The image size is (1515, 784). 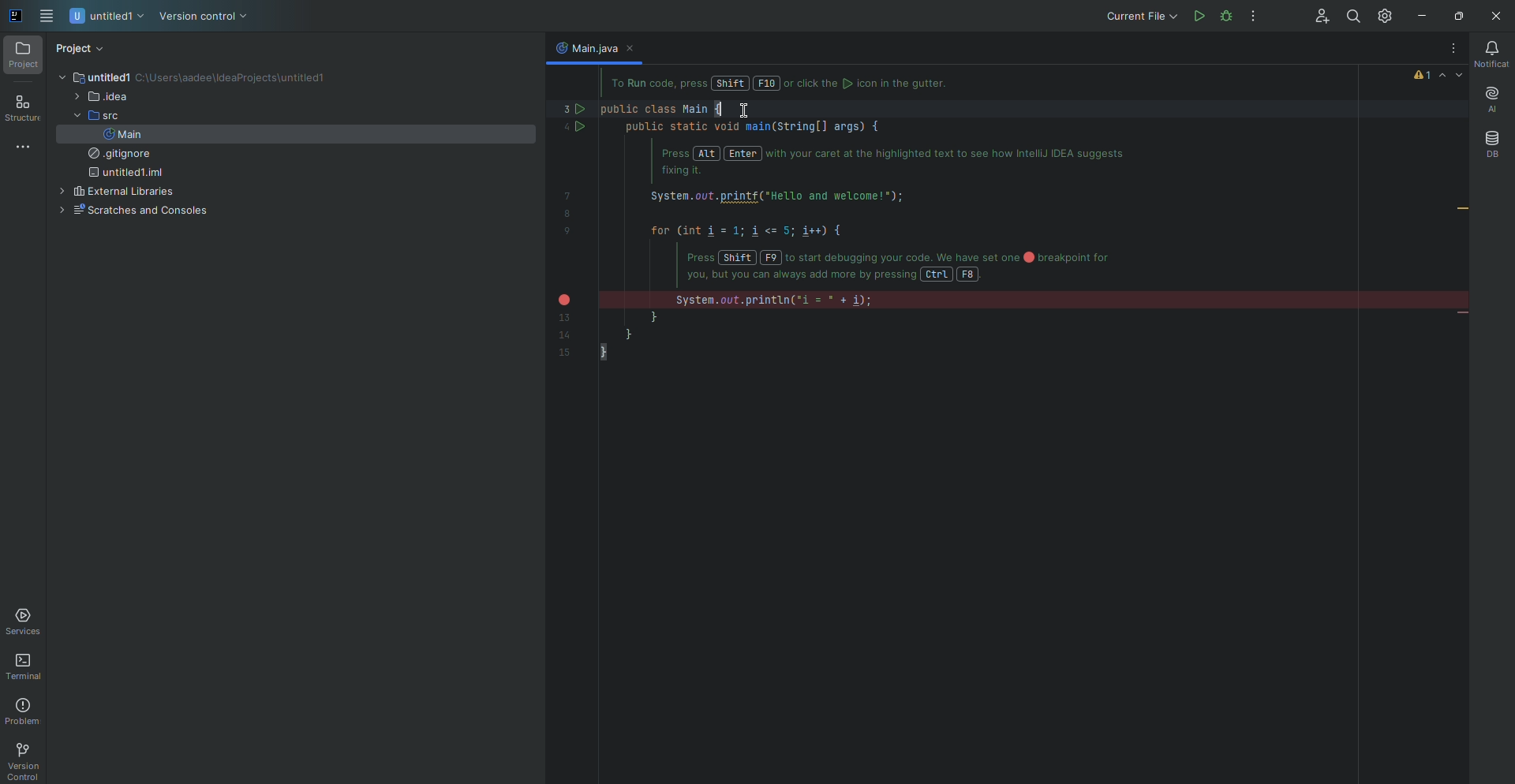 I want to click on Code With Me, so click(x=1316, y=17).